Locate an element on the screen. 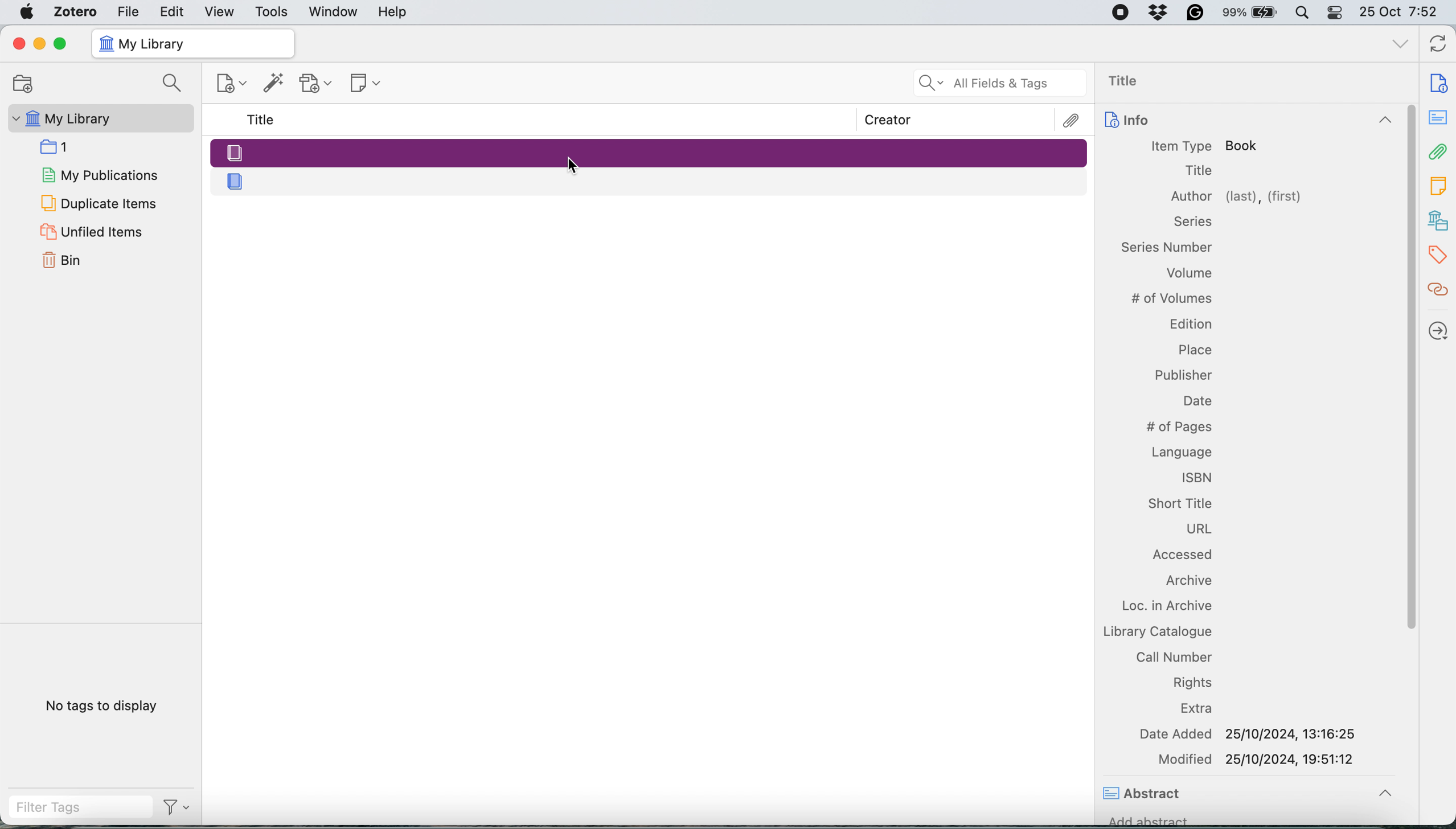 Image resolution: width=1456 pixels, height=829 pixels. Loc. in Archive is located at coordinates (1159, 606).